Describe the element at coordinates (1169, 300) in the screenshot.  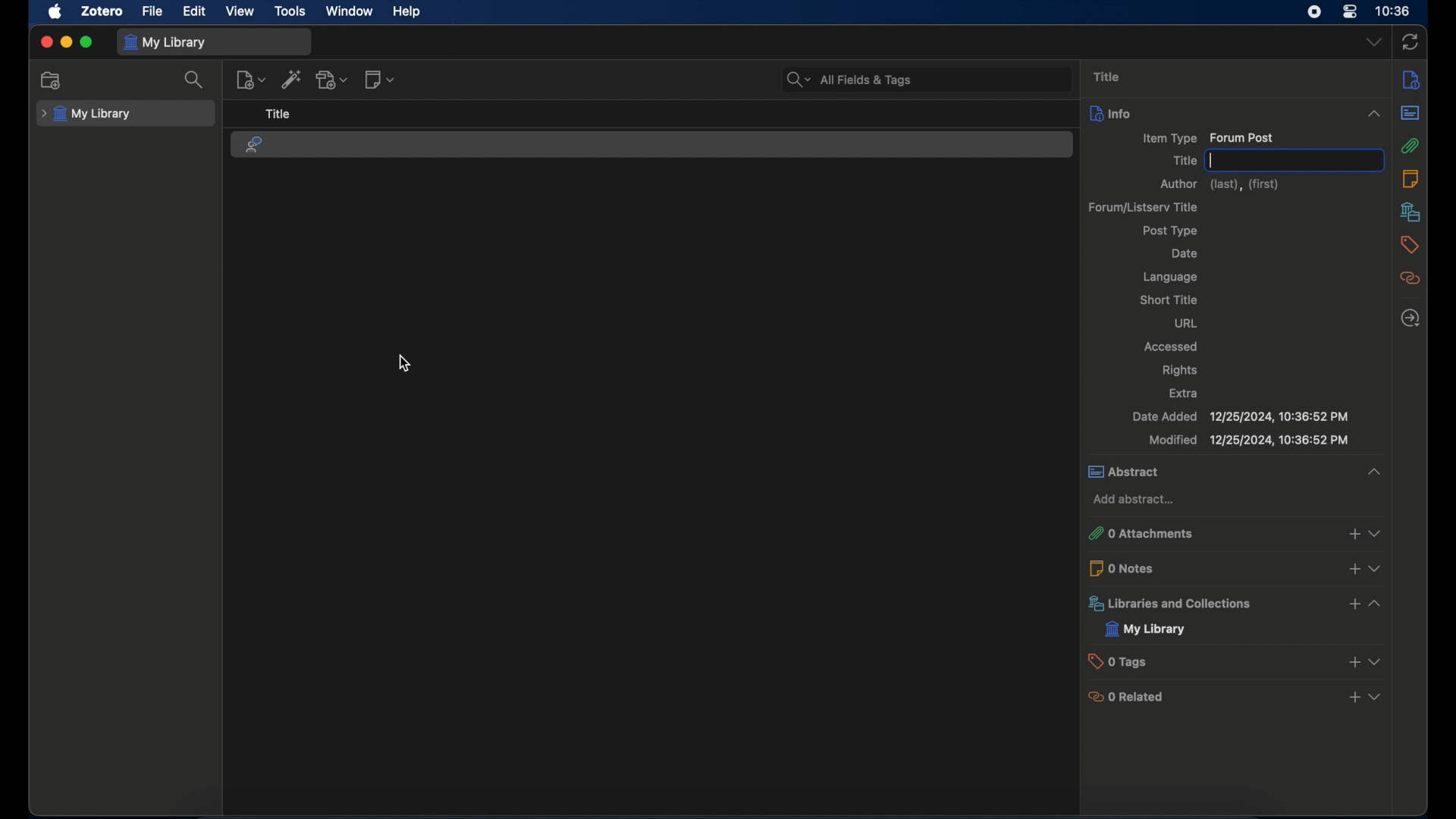
I see `short title` at that location.